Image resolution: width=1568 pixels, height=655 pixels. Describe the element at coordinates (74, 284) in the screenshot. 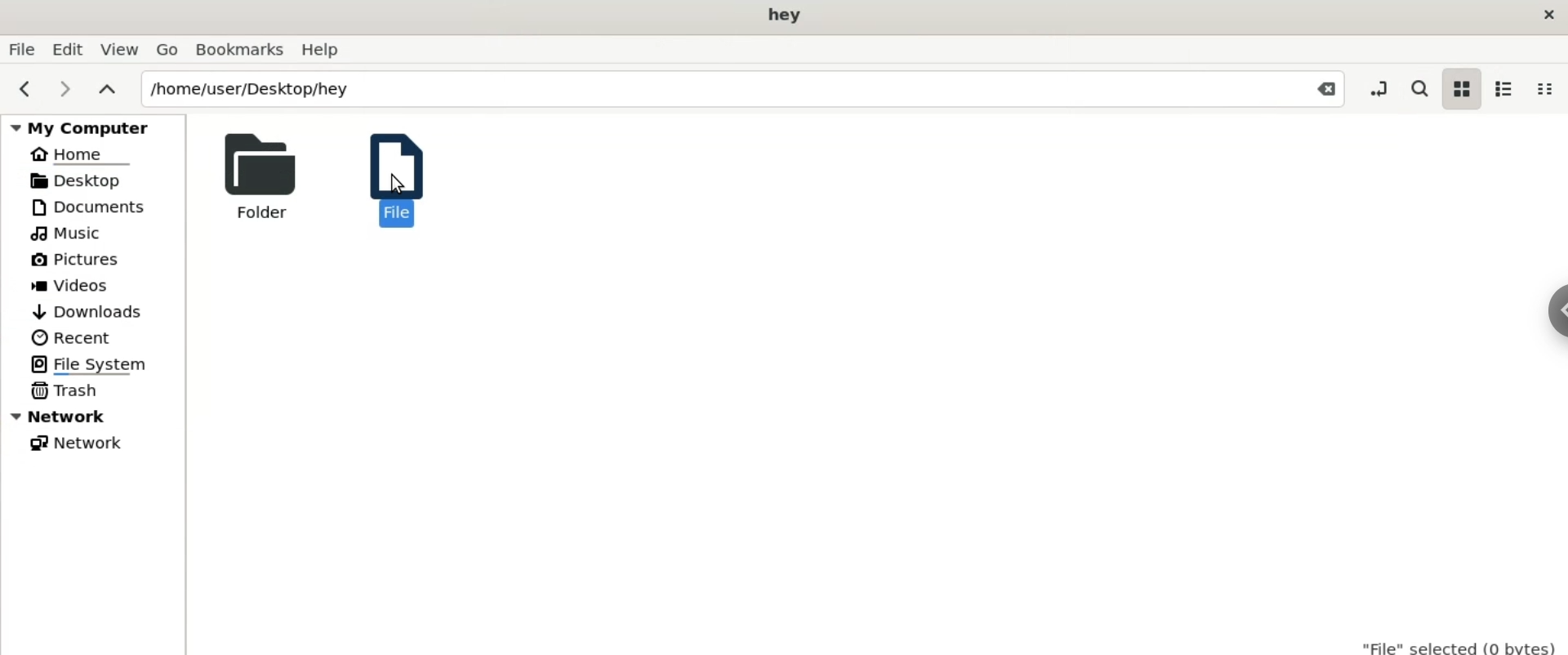

I see `videos` at that location.